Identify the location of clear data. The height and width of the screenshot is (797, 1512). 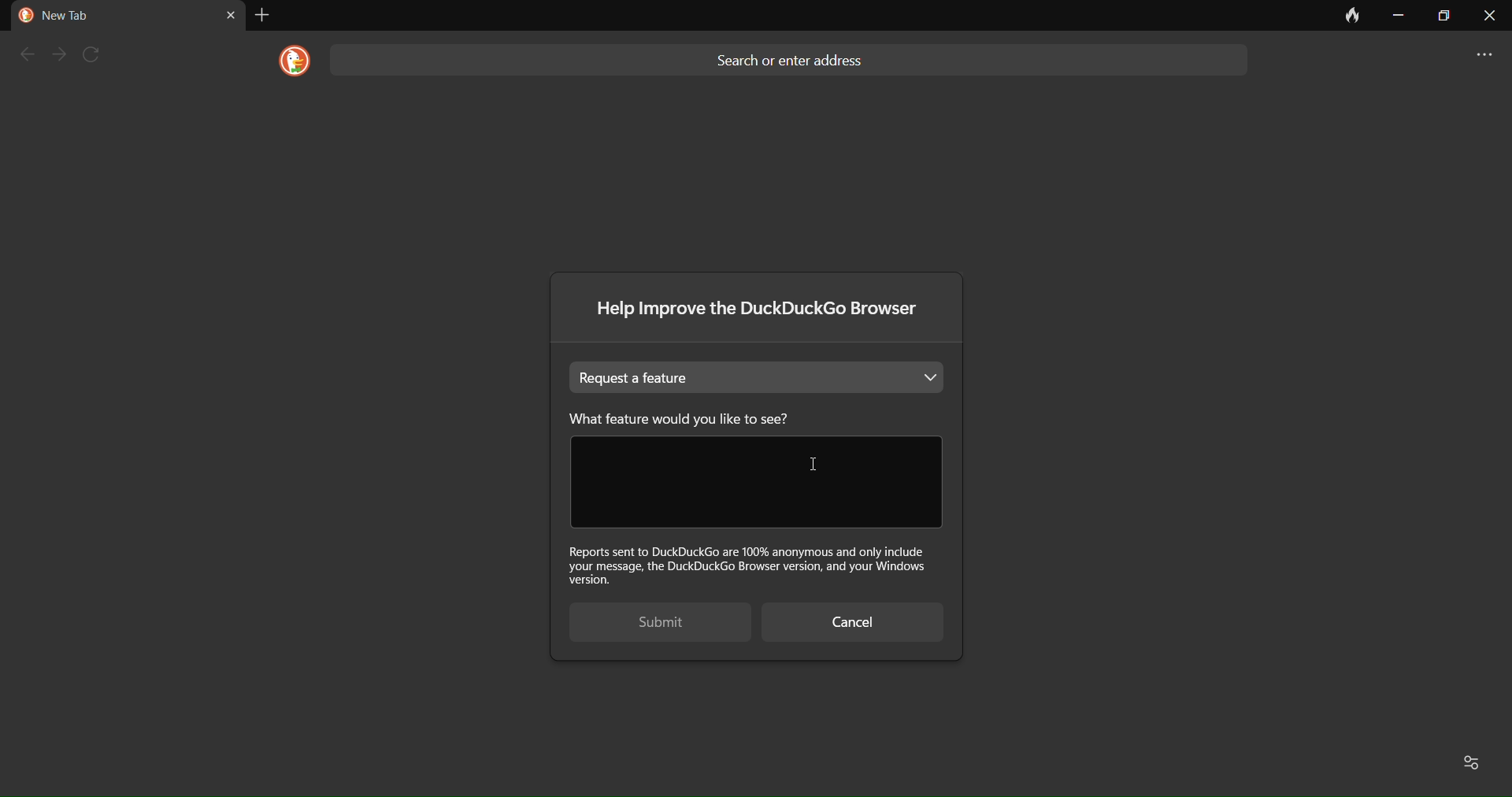
(1345, 20).